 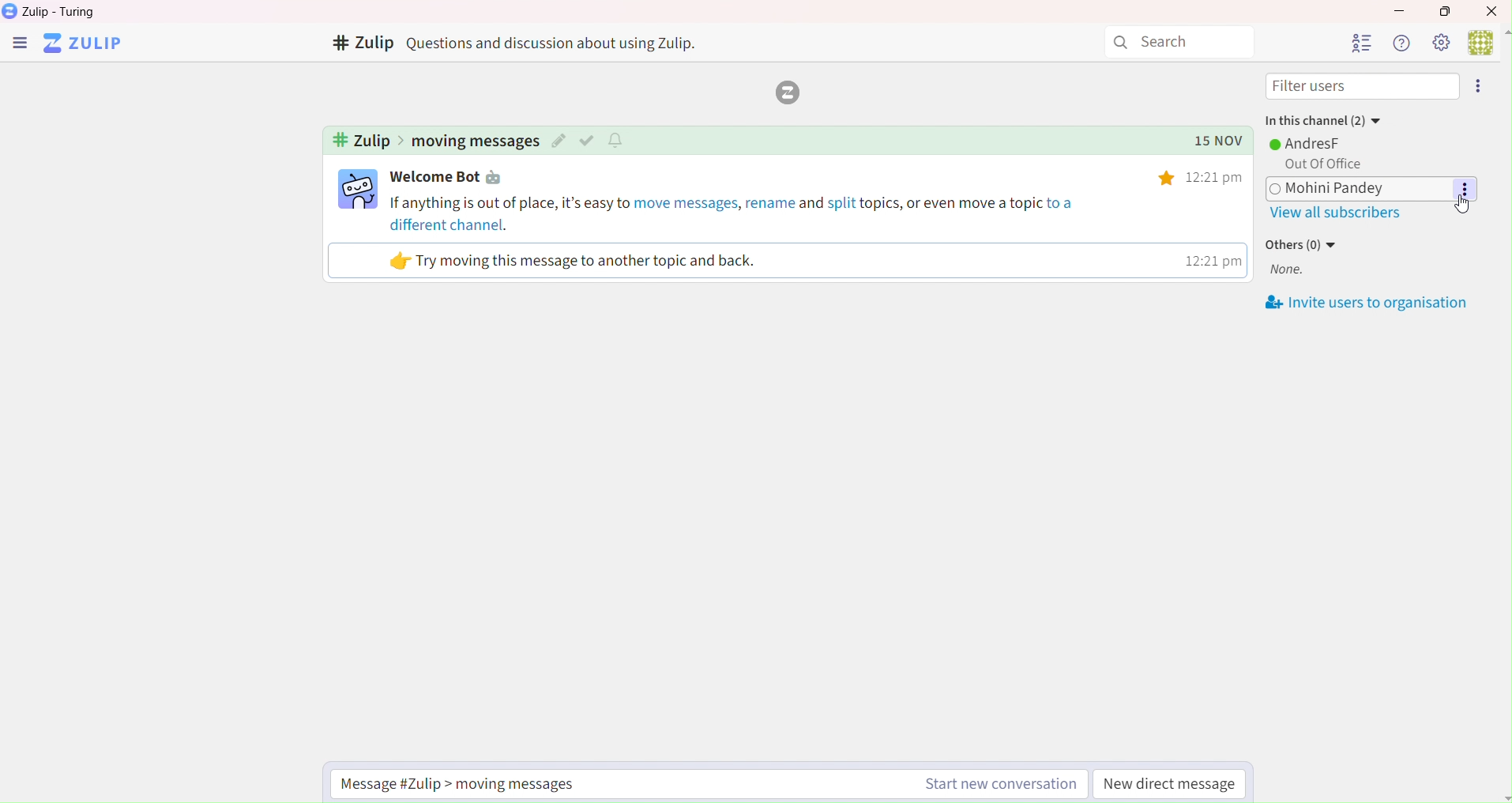 I want to click on Minimize, so click(x=1397, y=9).